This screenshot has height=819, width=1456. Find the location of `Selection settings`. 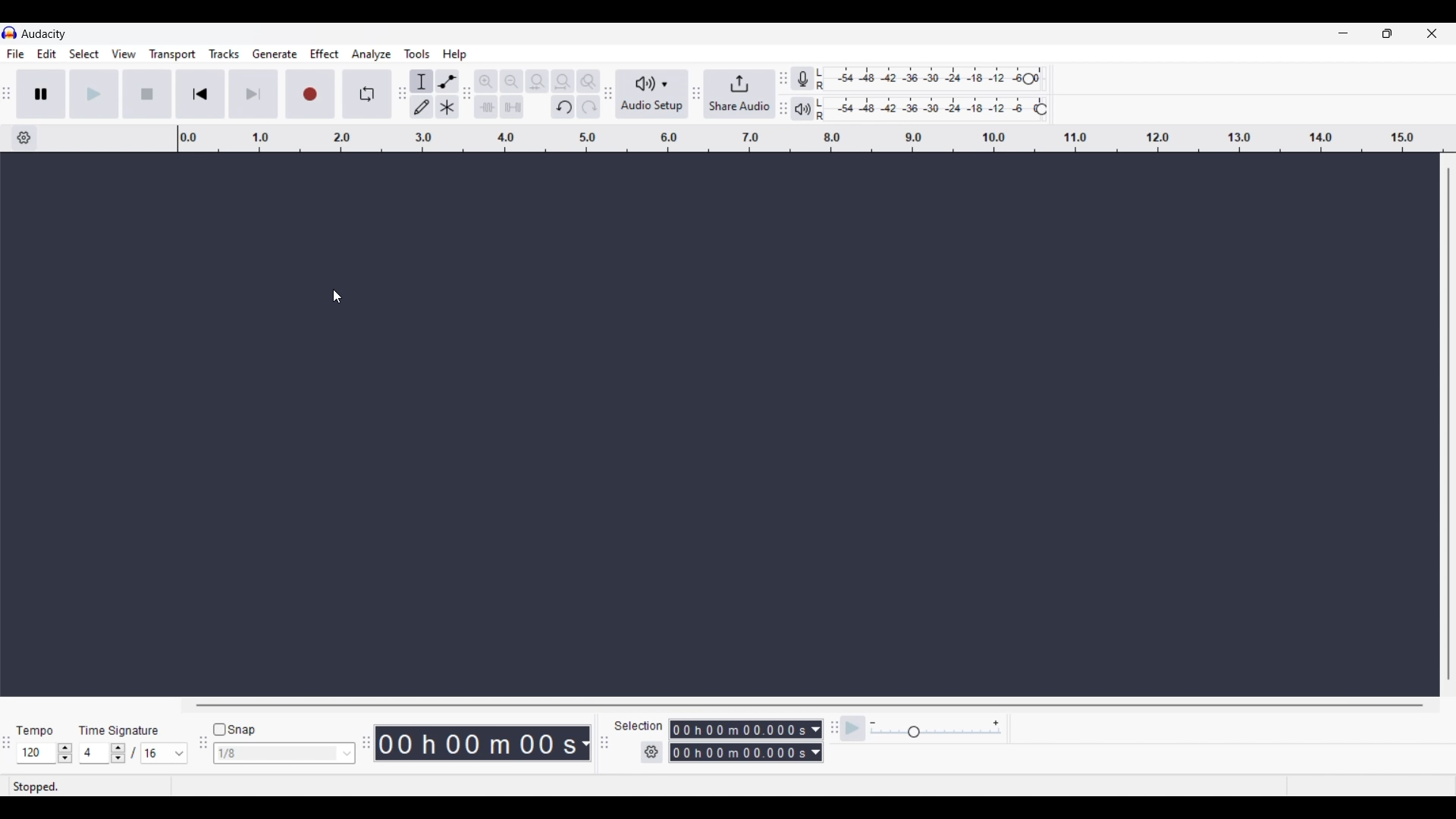

Selection settings is located at coordinates (652, 752).